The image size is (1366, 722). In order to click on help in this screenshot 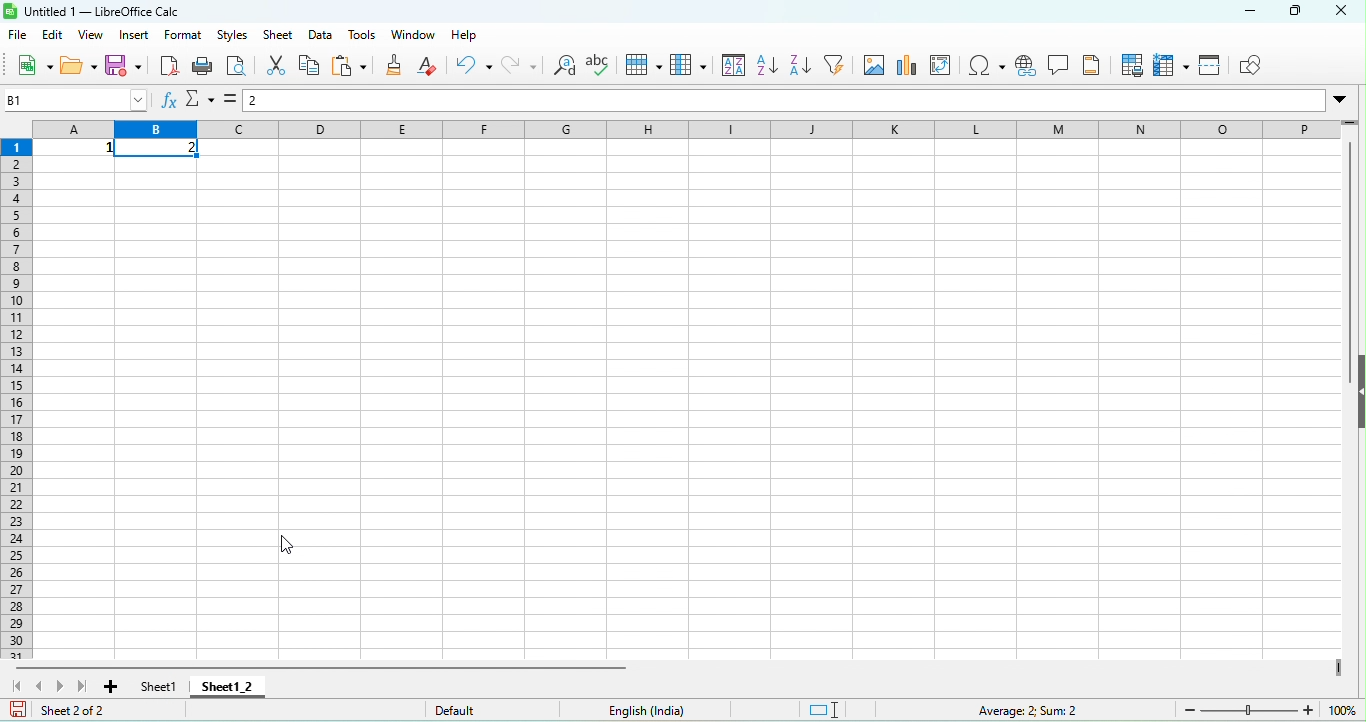, I will do `click(468, 37)`.